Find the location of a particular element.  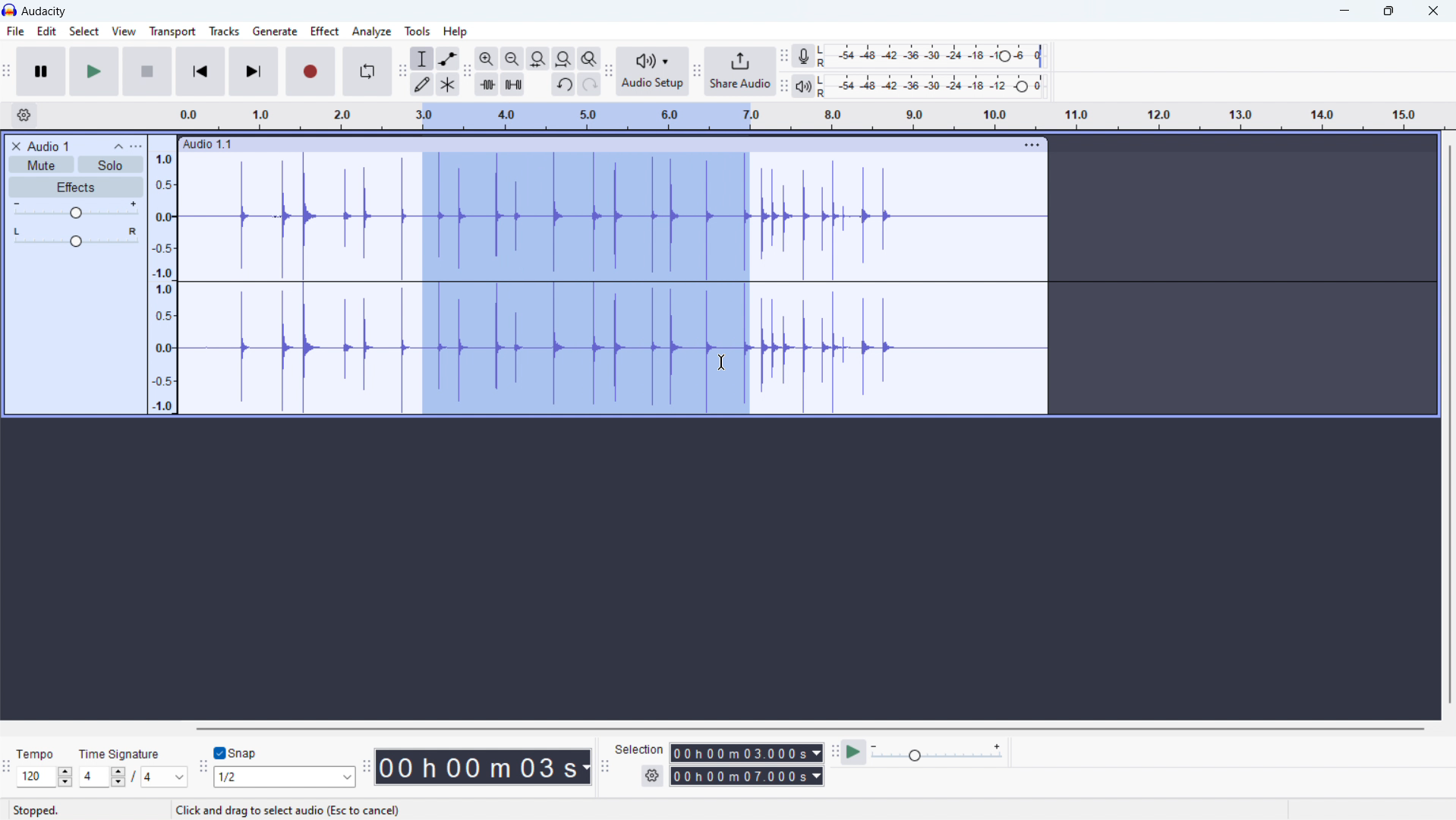

tools toolbar is located at coordinates (402, 71).